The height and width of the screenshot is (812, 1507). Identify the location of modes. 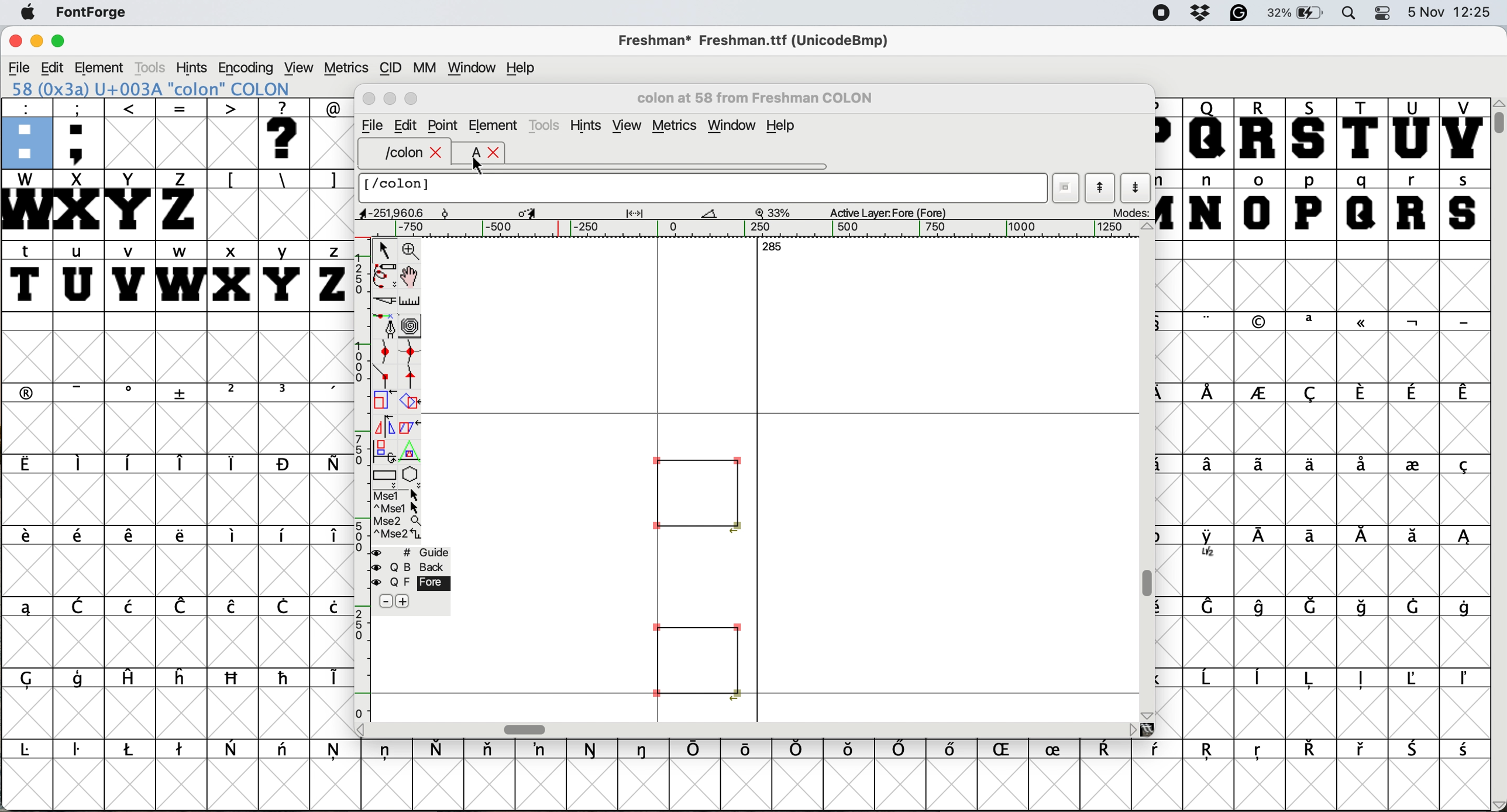
(1125, 214).